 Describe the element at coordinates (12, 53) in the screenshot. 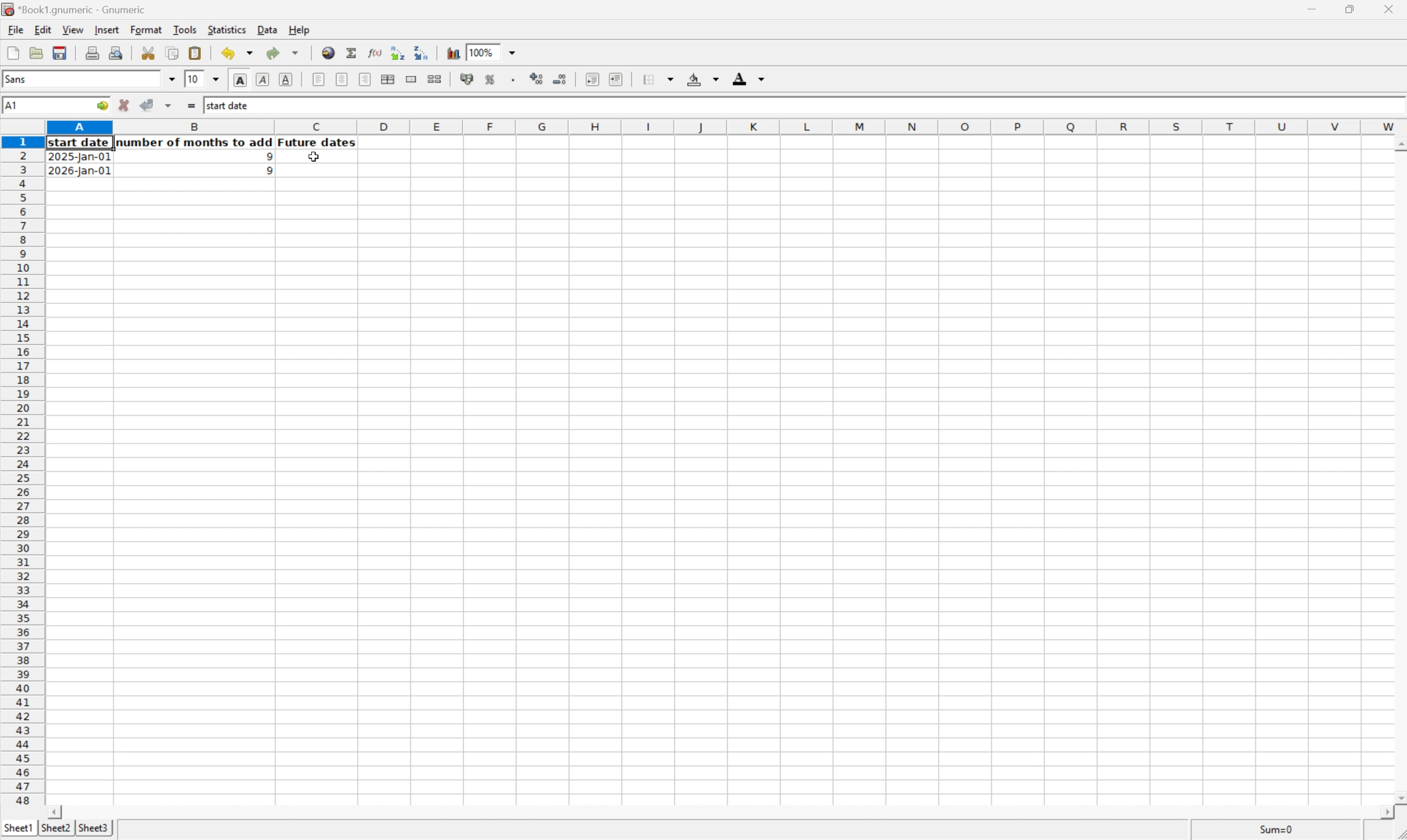

I see `Create new workbook` at that location.